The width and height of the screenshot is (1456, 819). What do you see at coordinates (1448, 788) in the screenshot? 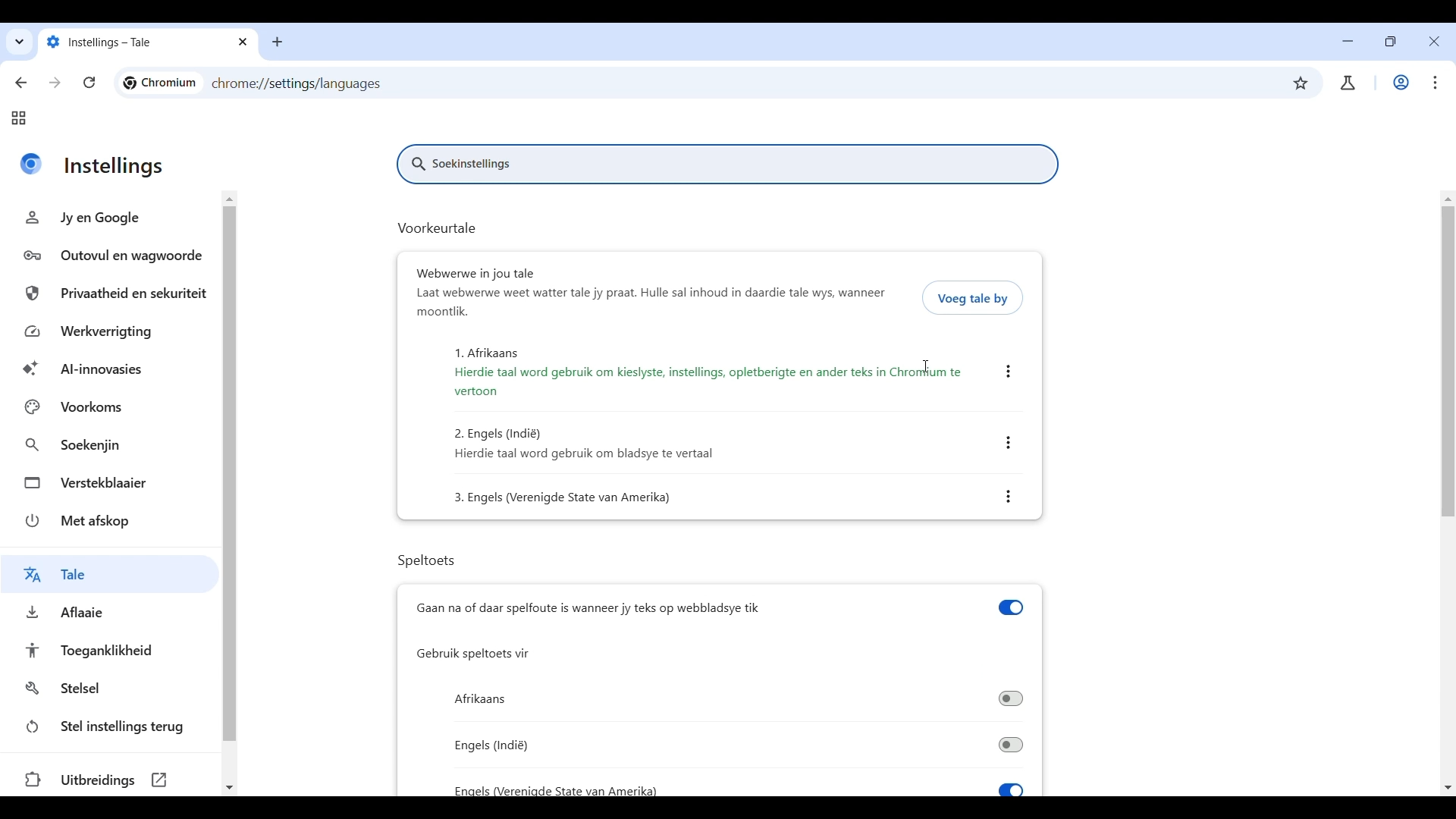
I see `Quick slide to bottom` at bounding box center [1448, 788].